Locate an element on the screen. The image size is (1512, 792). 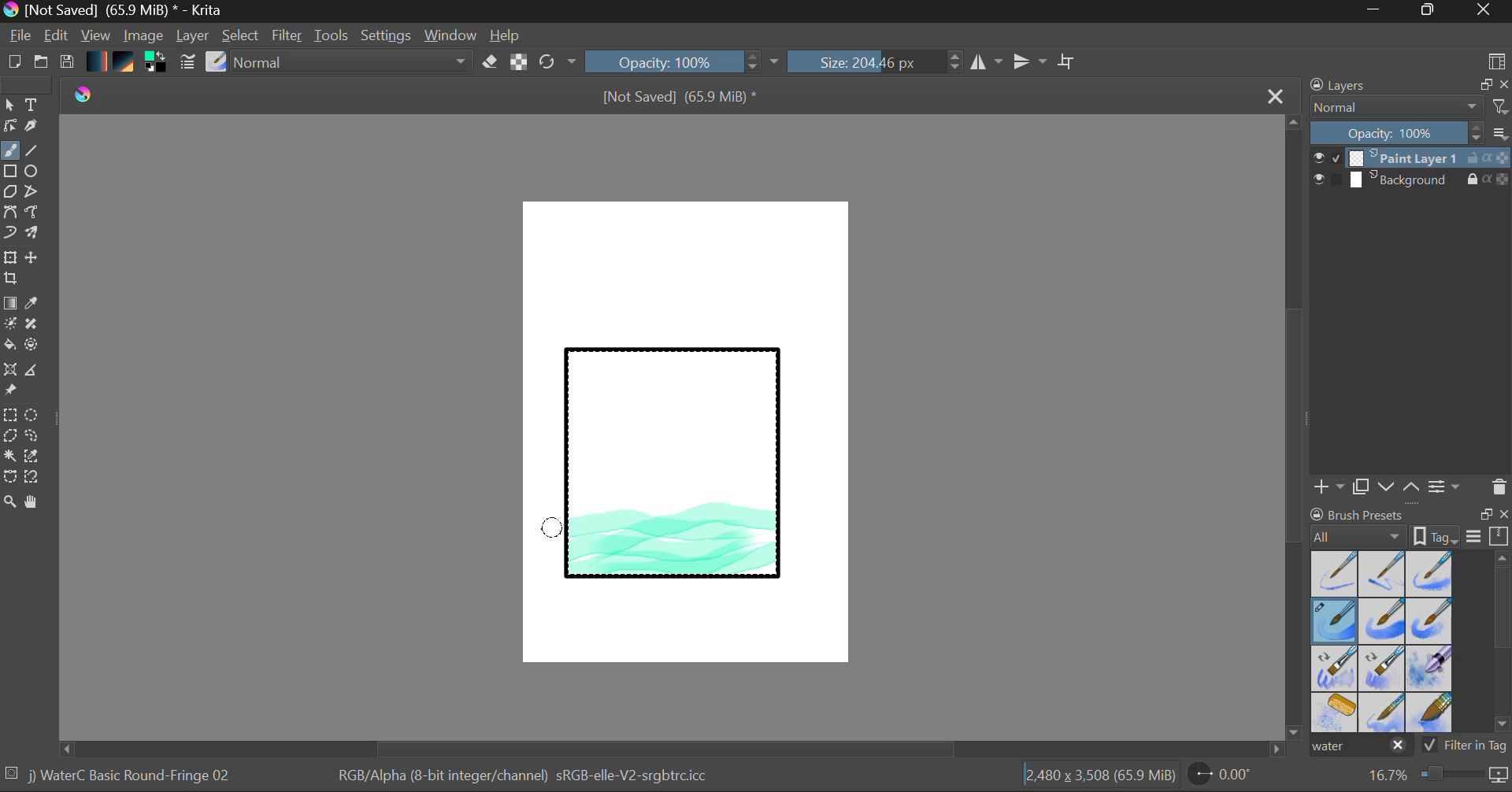
DRAG_TO Stroke 5 is located at coordinates (557, 531).